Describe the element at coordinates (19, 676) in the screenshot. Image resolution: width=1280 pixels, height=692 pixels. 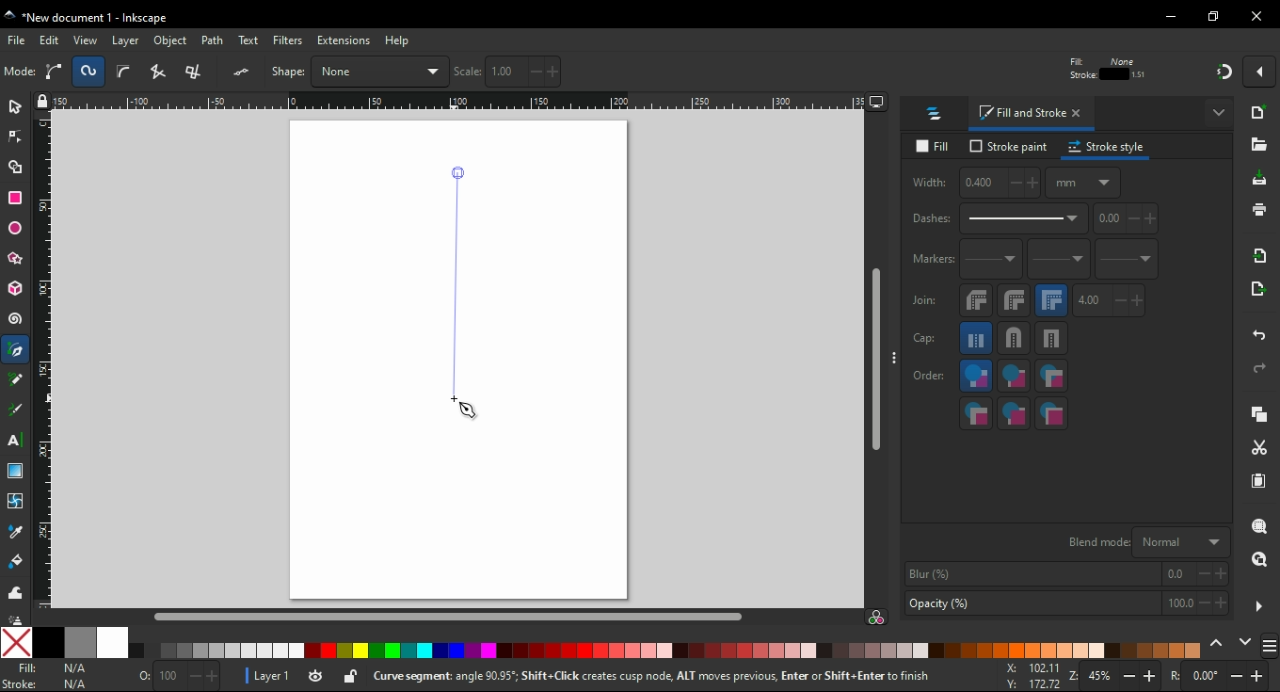
I see `Fill Stroke` at that location.